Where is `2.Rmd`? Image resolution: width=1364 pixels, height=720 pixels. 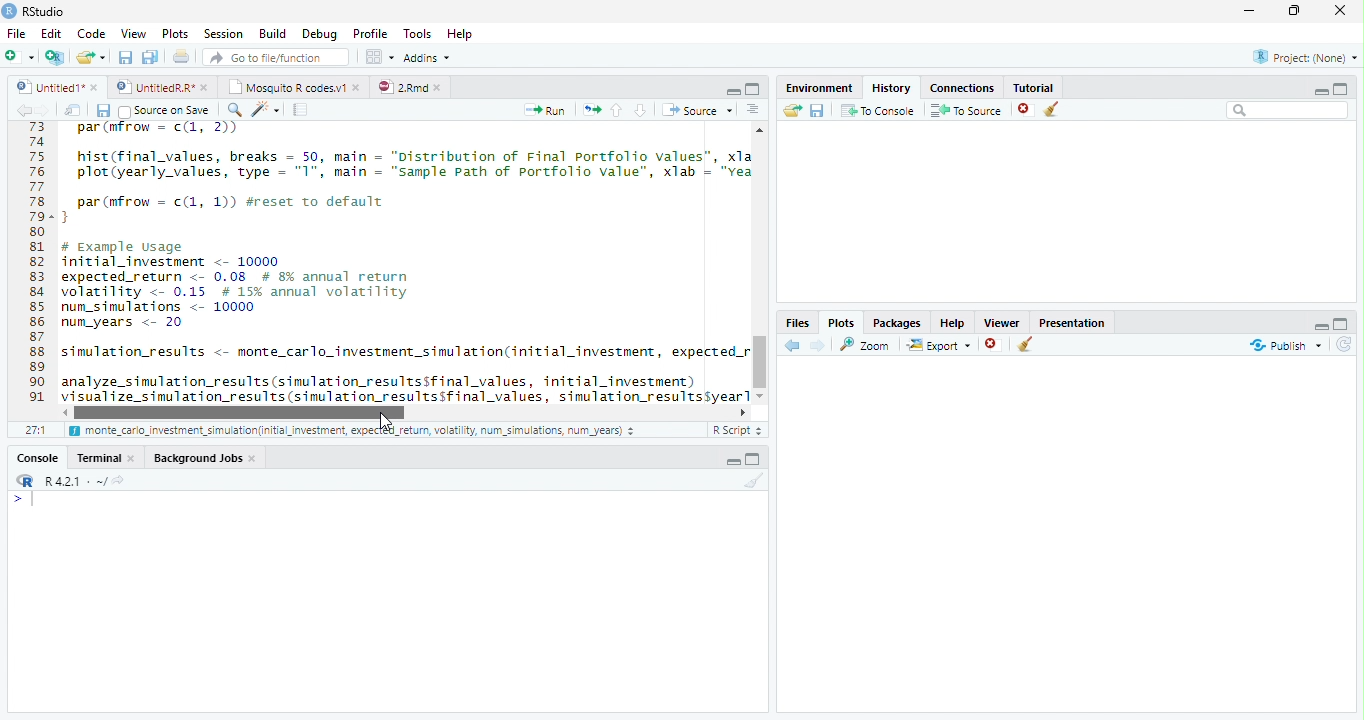
2.Rmd is located at coordinates (410, 87).